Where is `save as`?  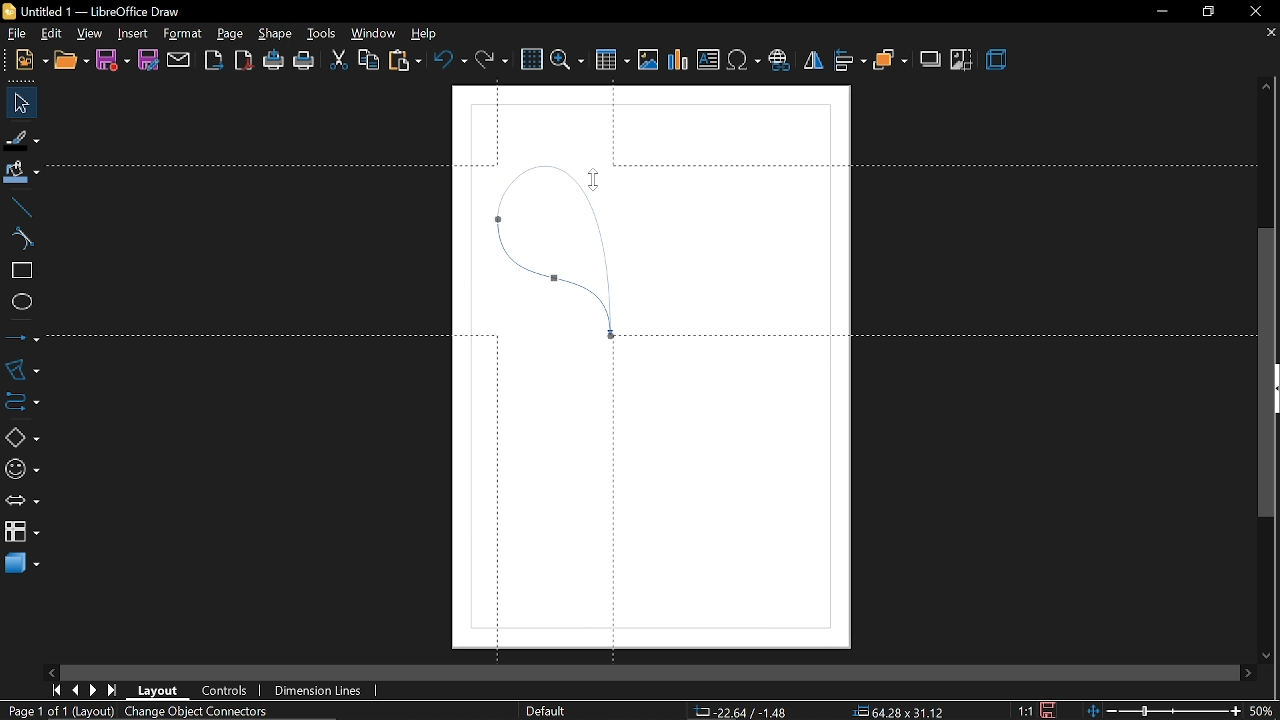
save as is located at coordinates (147, 60).